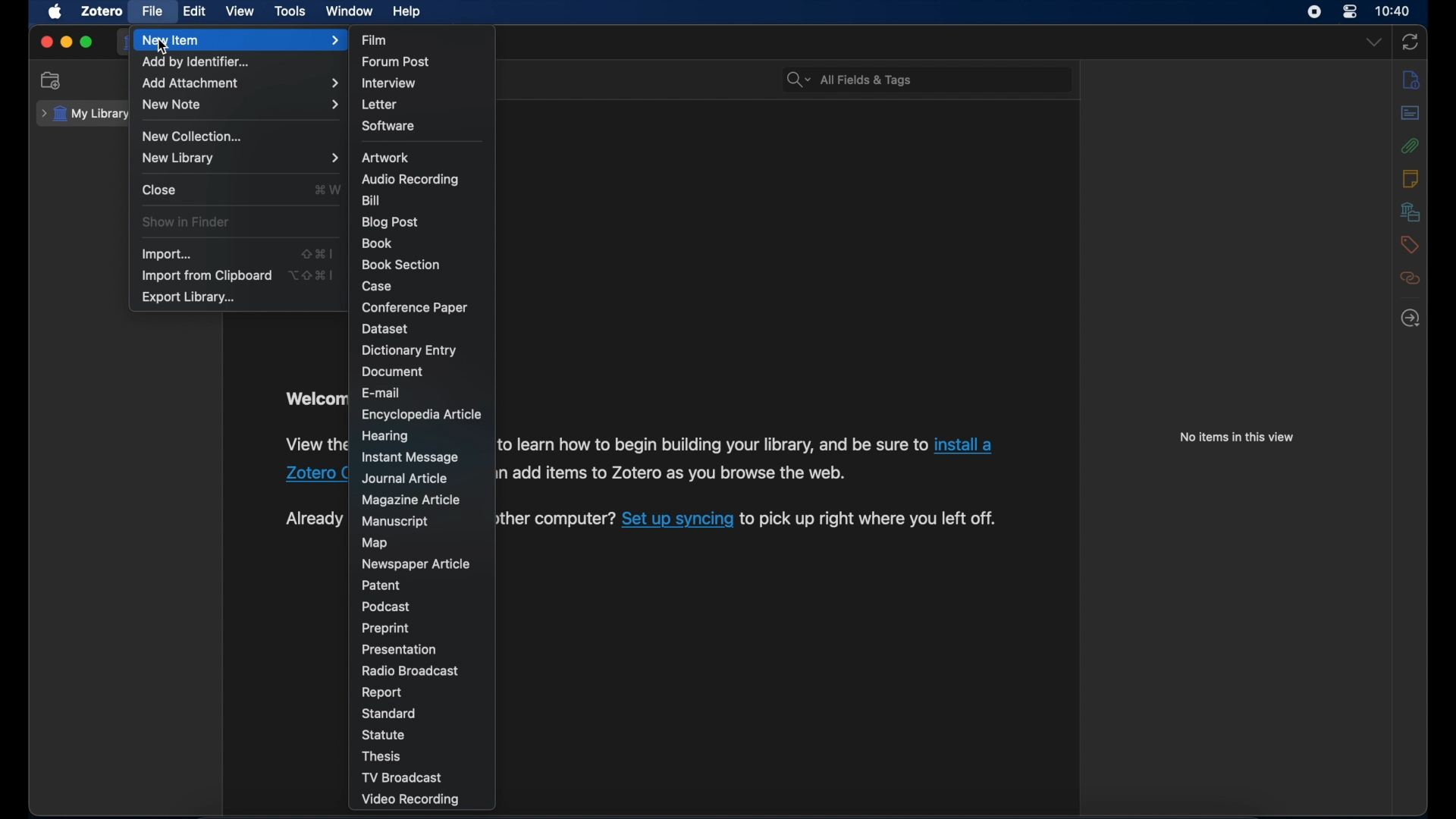 The height and width of the screenshot is (819, 1456). I want to click on radio broadcast, so click(409, 670).